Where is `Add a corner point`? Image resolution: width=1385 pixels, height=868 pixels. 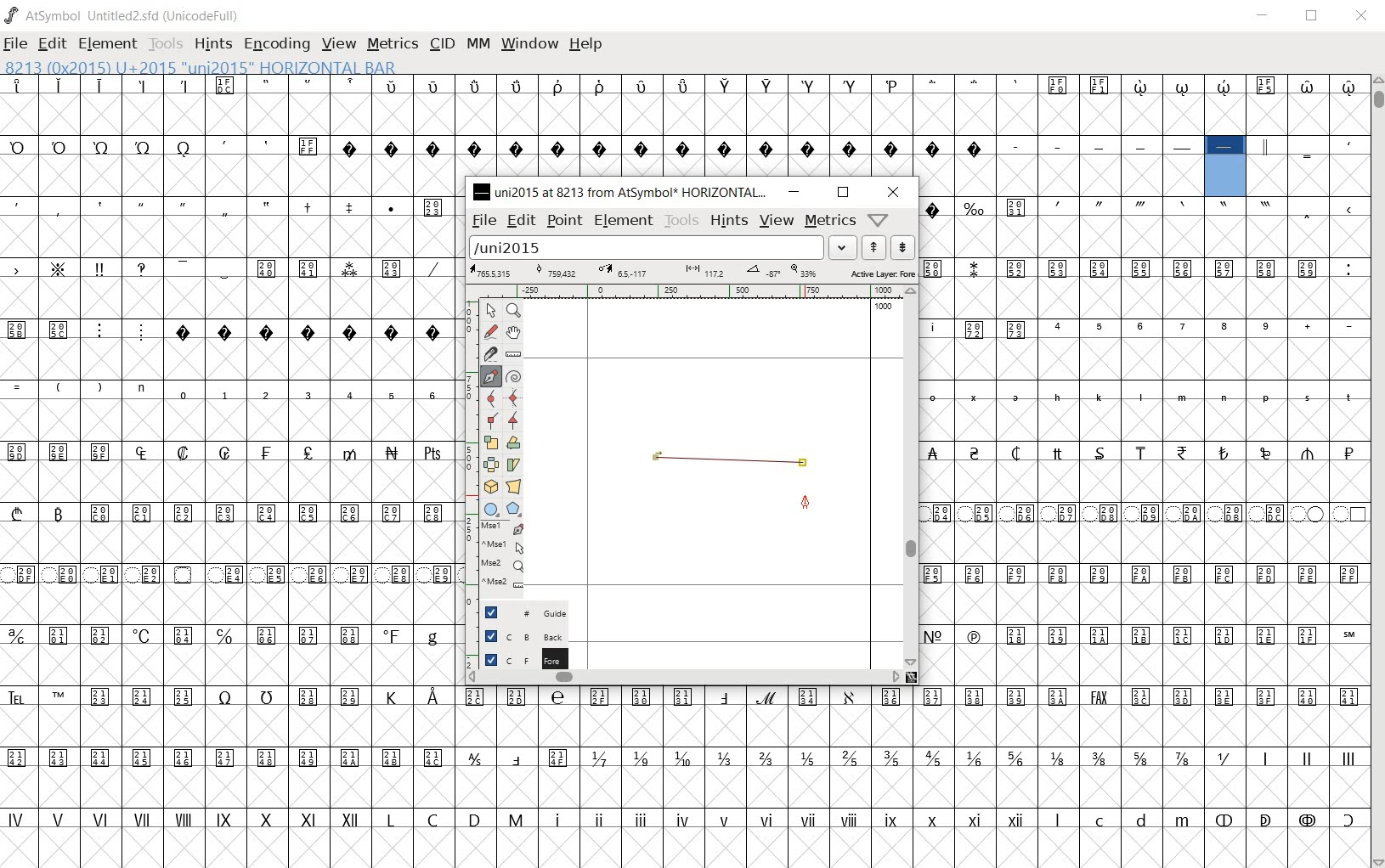 Add a corner point is located at coordinates (490, 421).